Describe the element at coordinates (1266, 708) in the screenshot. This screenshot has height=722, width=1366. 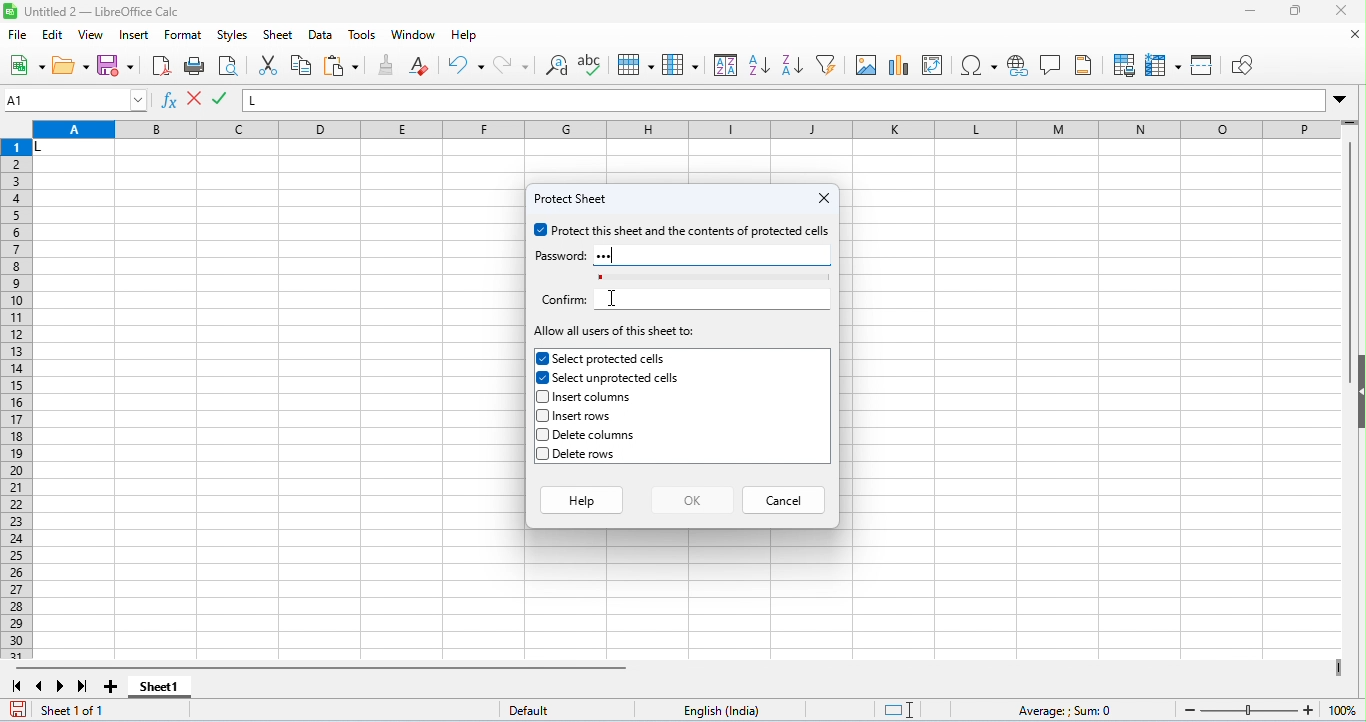
I see `zoom` at that location.